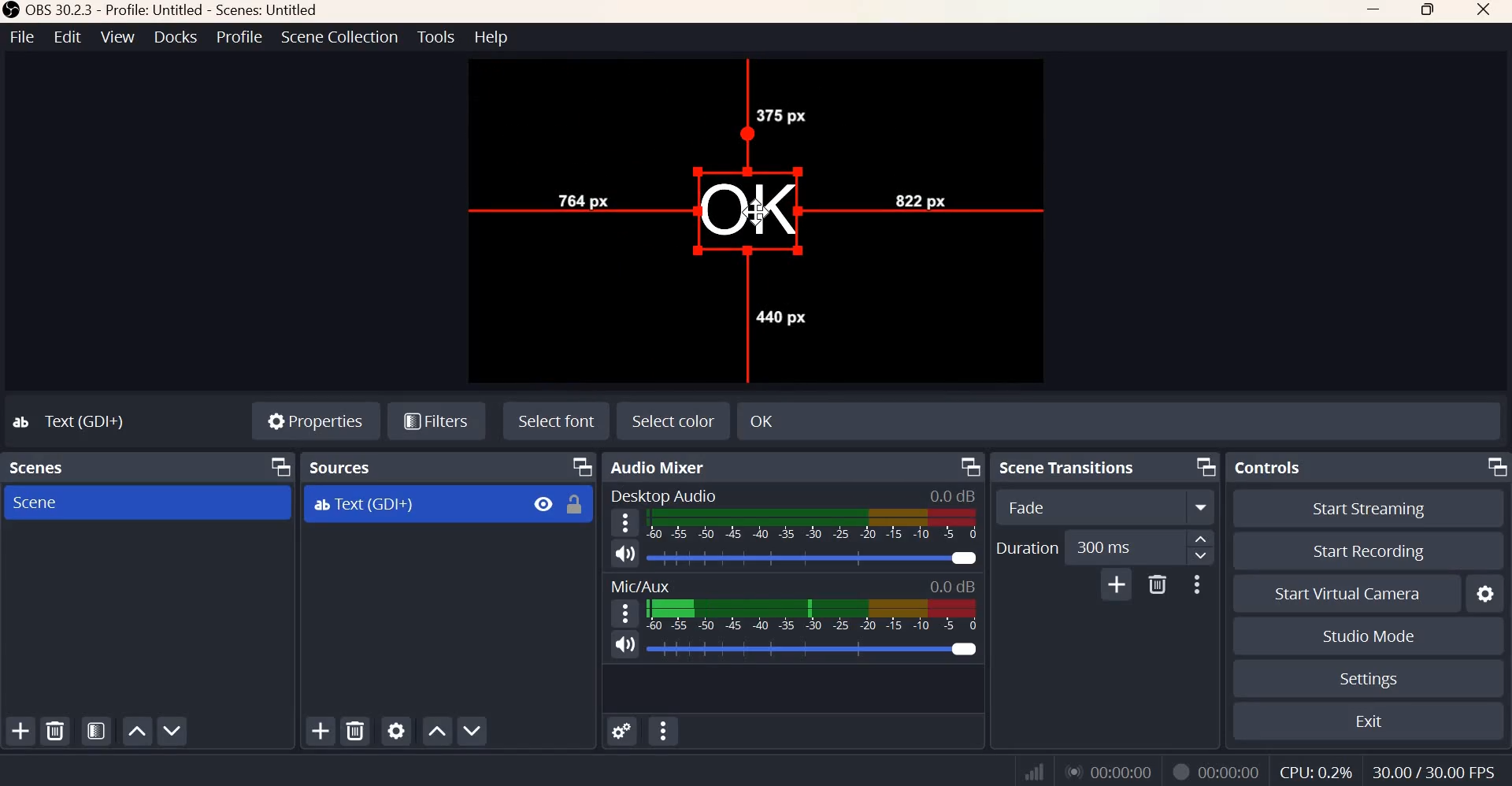  I want to click on Start recording, so click(1369, 551).